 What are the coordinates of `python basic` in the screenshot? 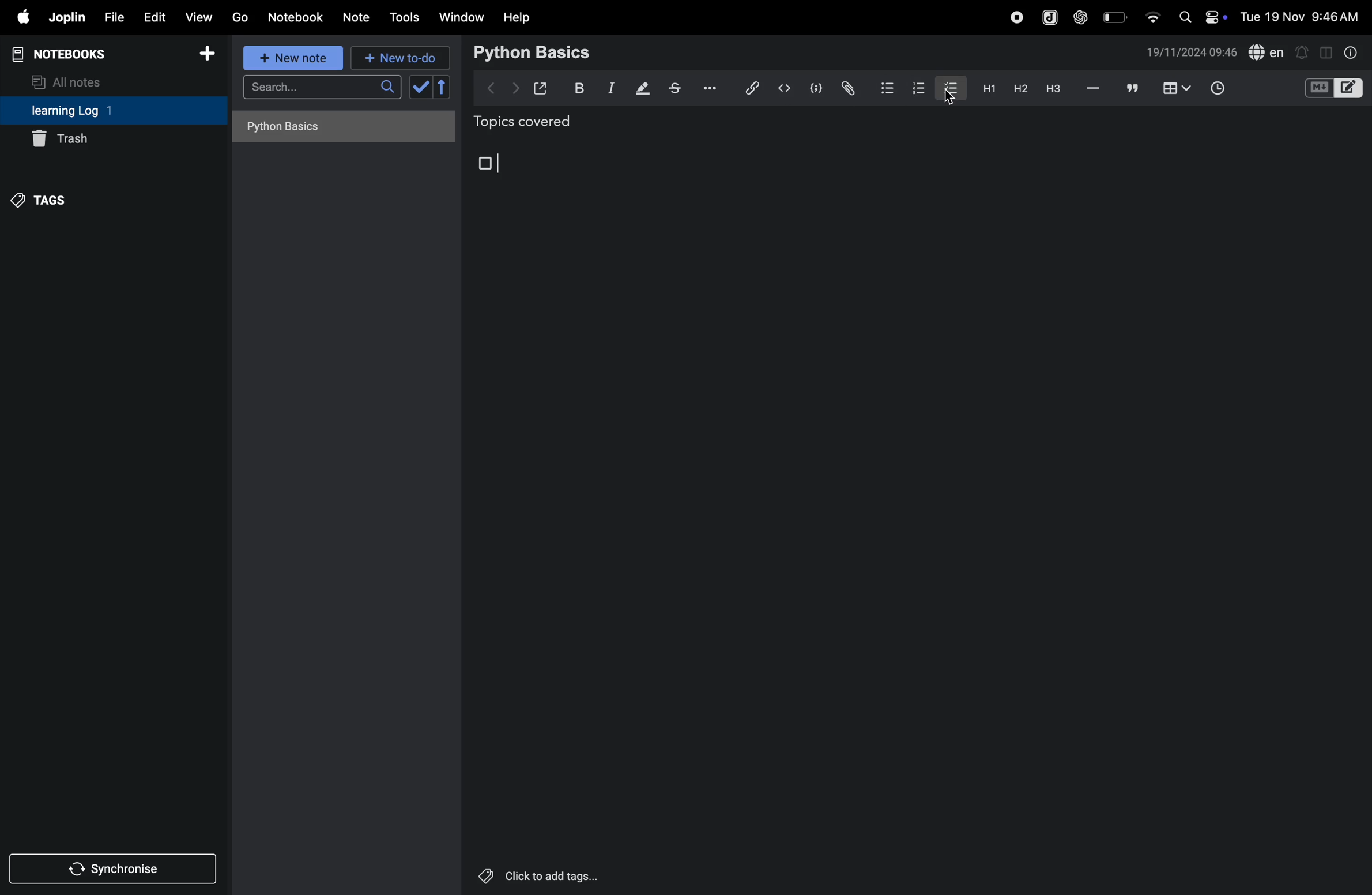 It's located at (534, 51).